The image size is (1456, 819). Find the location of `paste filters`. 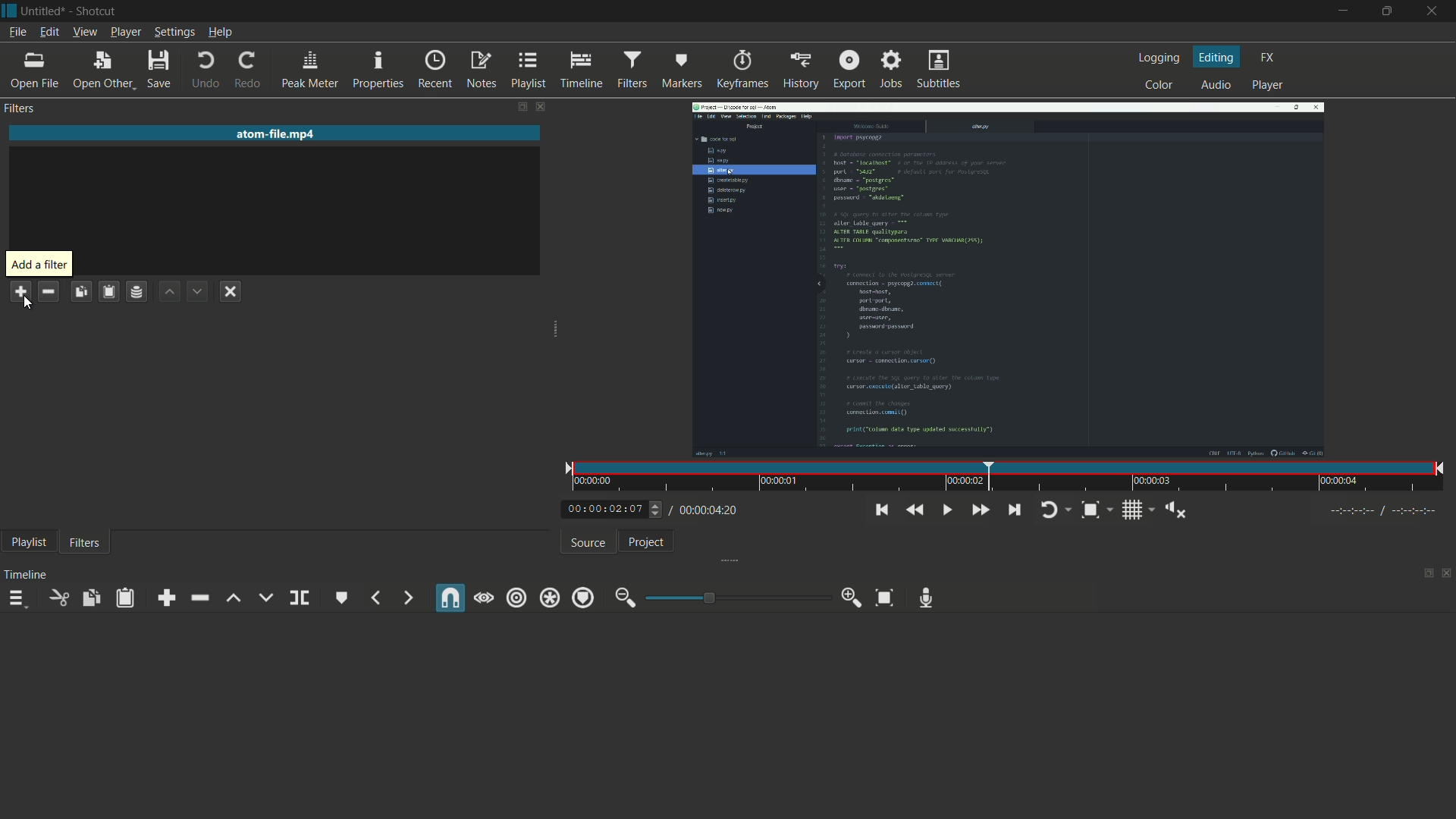

paste filters is located at coordinates (127, 598).